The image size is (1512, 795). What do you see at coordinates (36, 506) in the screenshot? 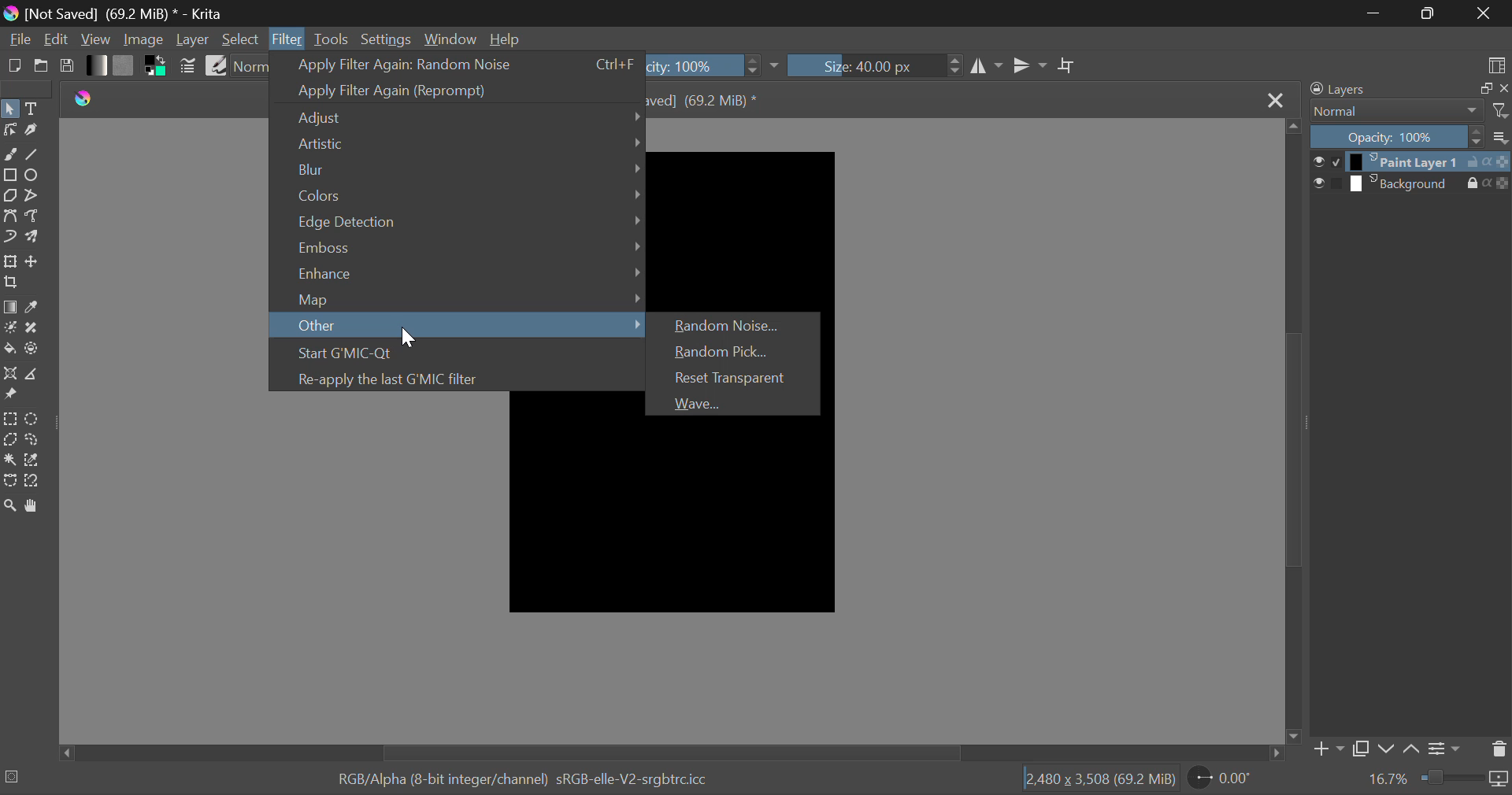
I see `Pan` at bounding box center [36, 506].